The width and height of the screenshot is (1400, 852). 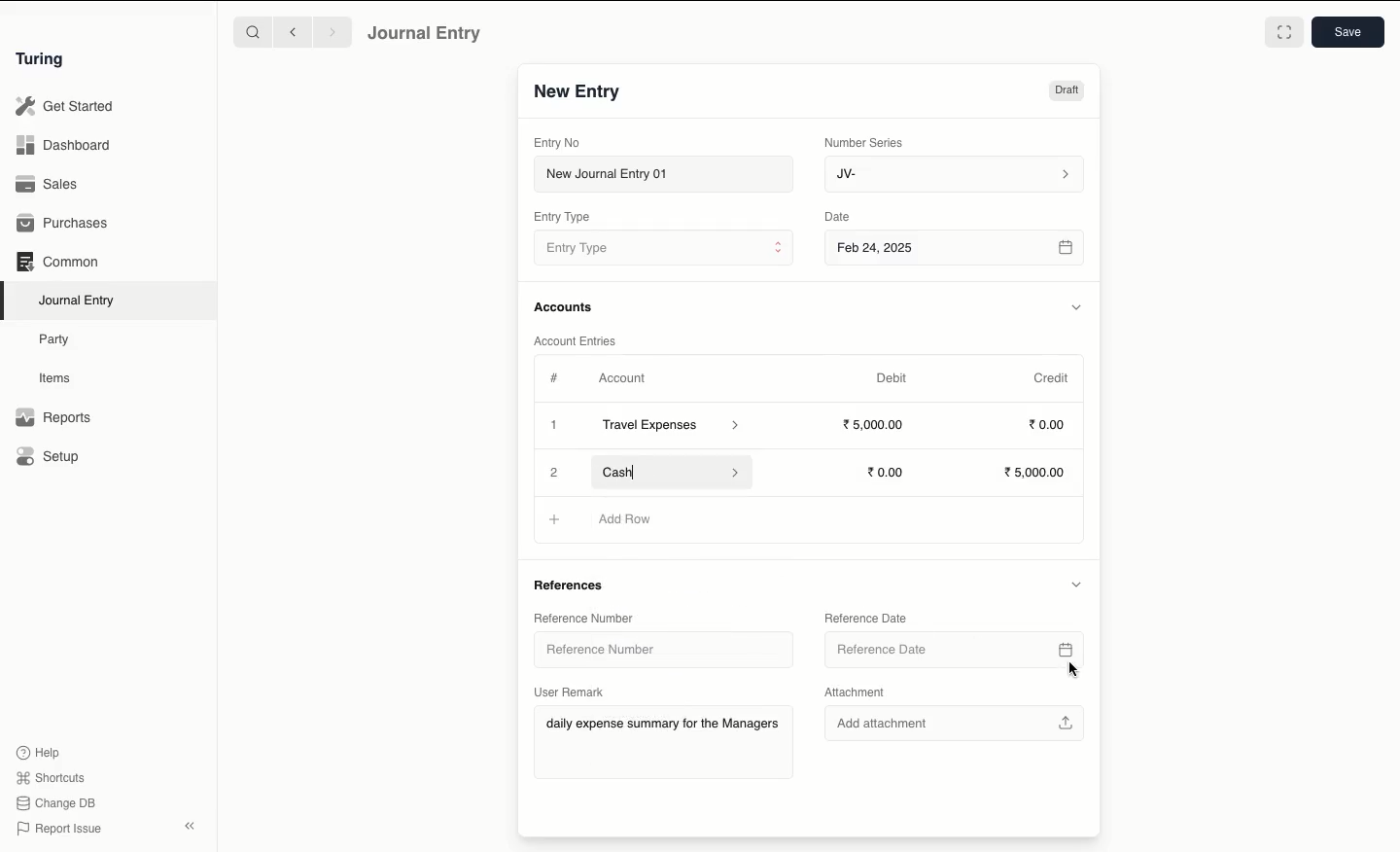 What do you see at coordinates (570, 692) in the screenshot?
I see `User Remark` at bounding box center [570, 692].